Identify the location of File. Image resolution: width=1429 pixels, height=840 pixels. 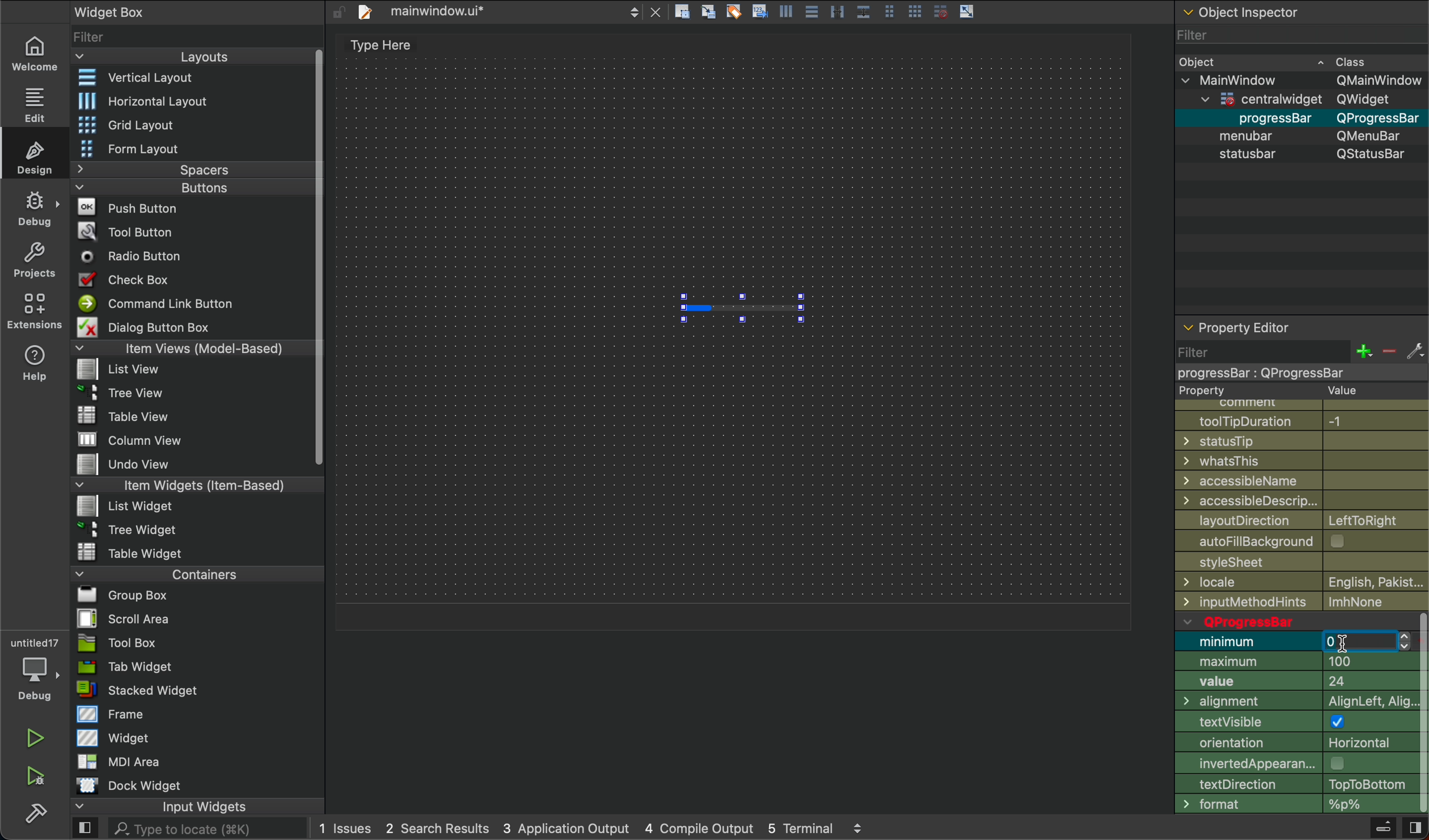
(131, 528).